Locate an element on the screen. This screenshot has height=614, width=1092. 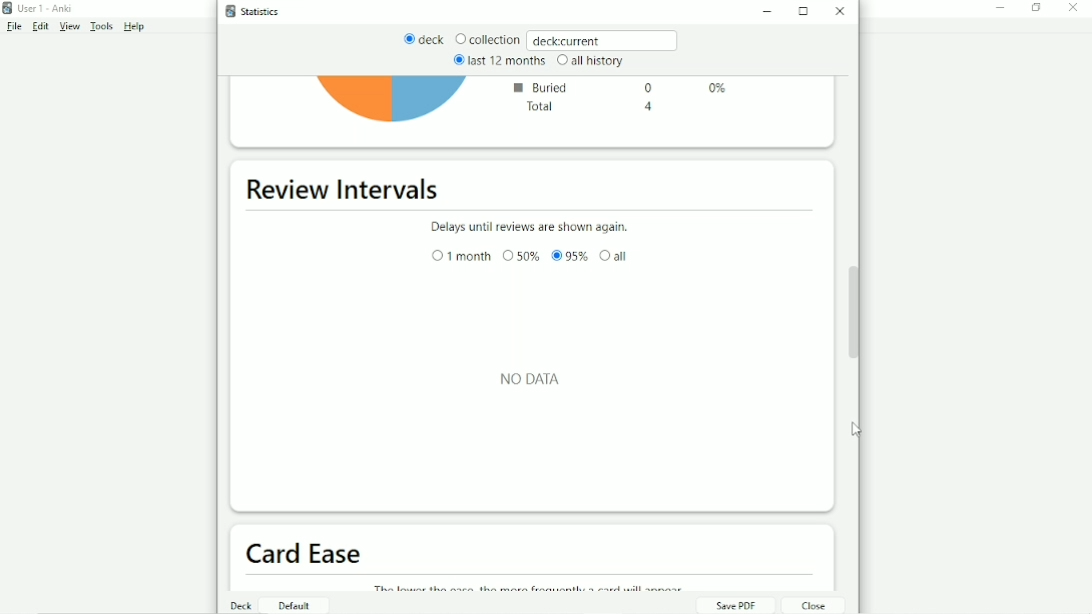
last 12 months is located at coordinates (498, 60).